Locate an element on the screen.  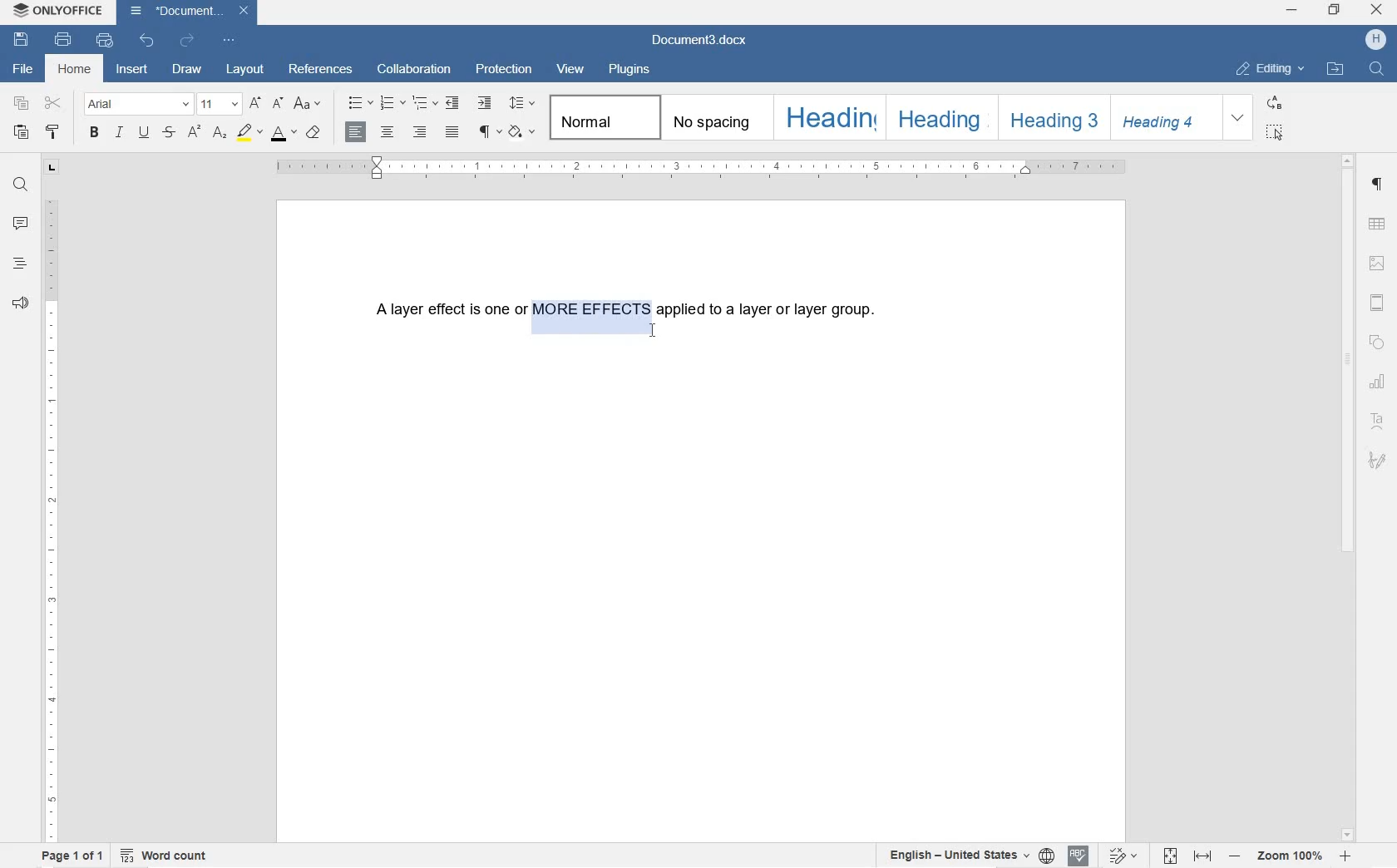
UNDO is located at coordinates (147, 42).